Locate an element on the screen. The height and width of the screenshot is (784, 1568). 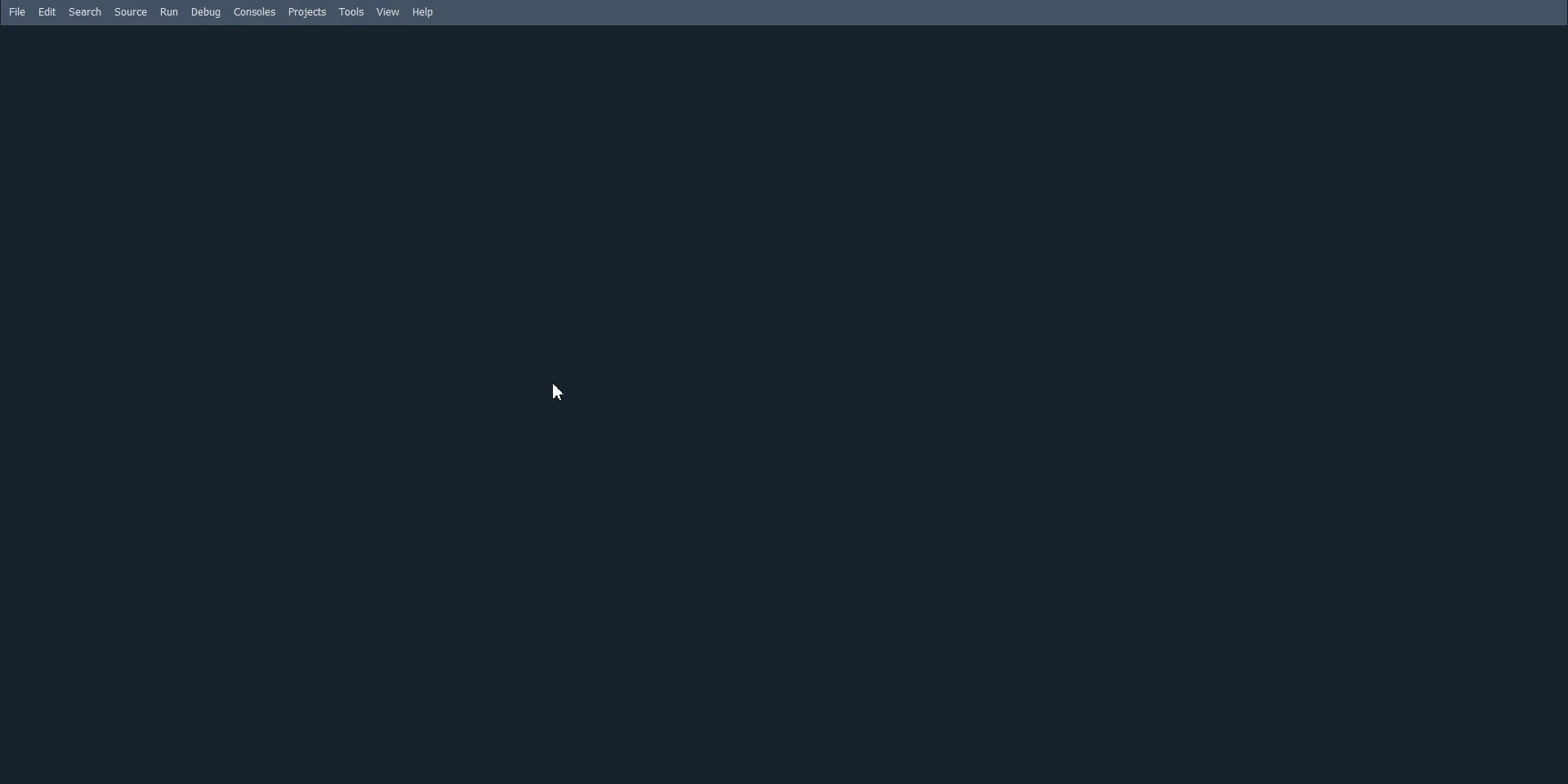
View is located at coordinates (389, 11).